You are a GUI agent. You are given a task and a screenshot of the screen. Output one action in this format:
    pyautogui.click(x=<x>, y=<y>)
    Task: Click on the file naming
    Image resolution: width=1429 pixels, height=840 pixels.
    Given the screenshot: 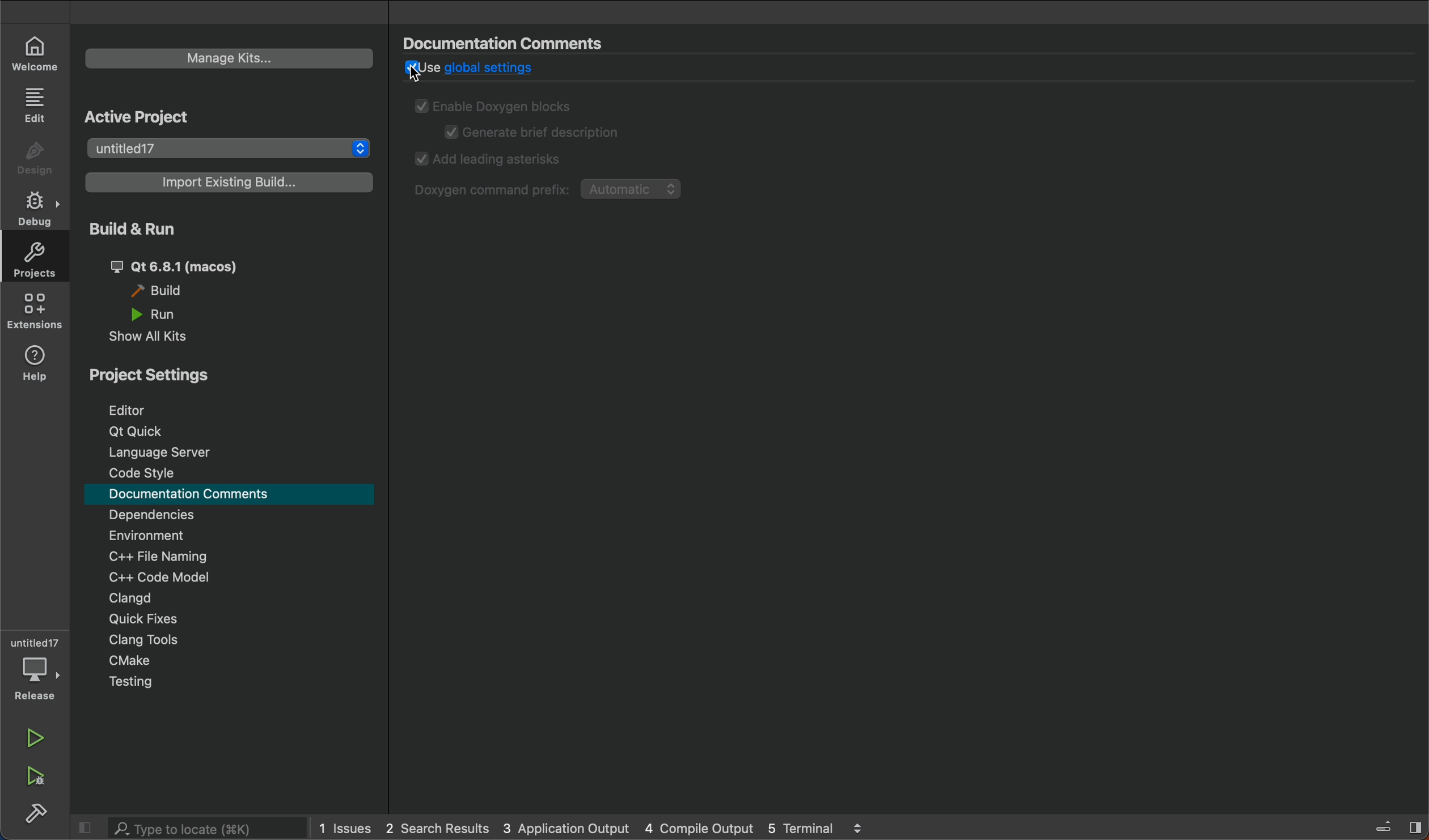 What is the action you would take?
    pyautogui.click(x=166, y=554)
    